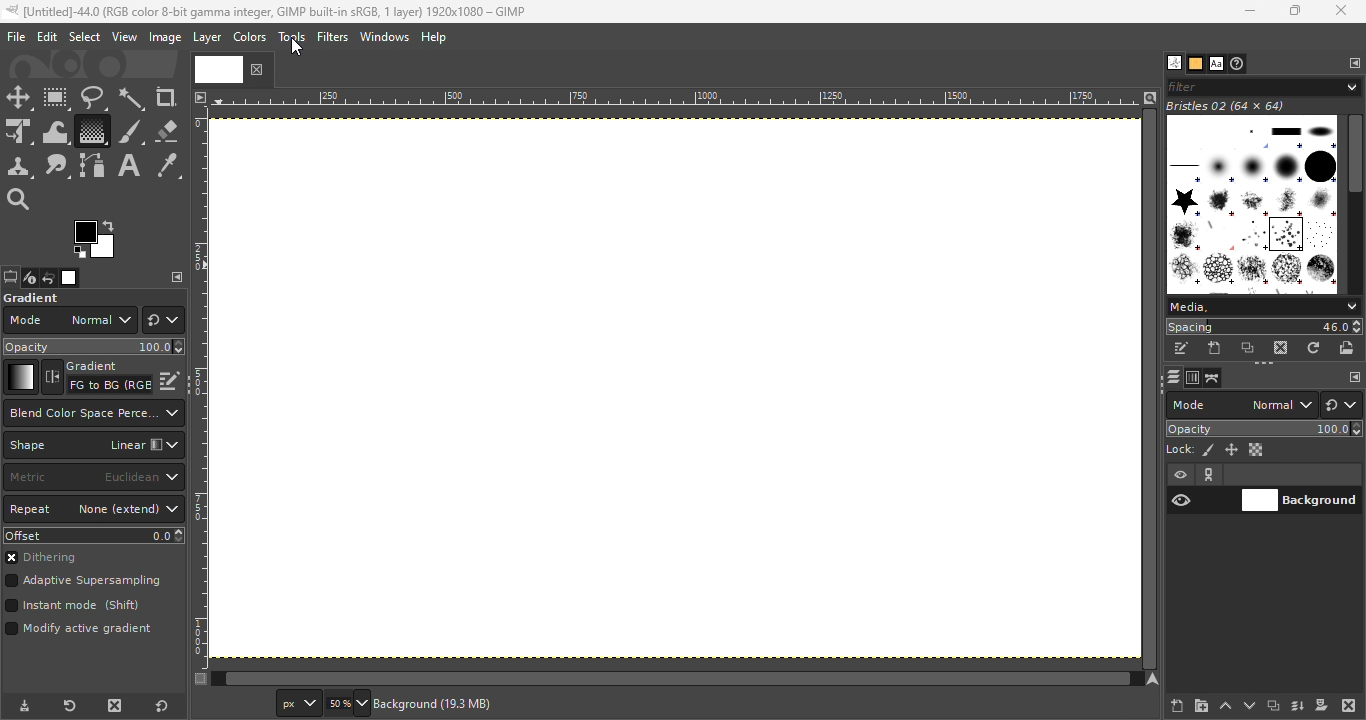 Image resolution: width=1366 pixels, height=720 pixels. Describe the element at coordinates (1345, 405) in the screenshot. I see `Switch to another group of modes` at that location.